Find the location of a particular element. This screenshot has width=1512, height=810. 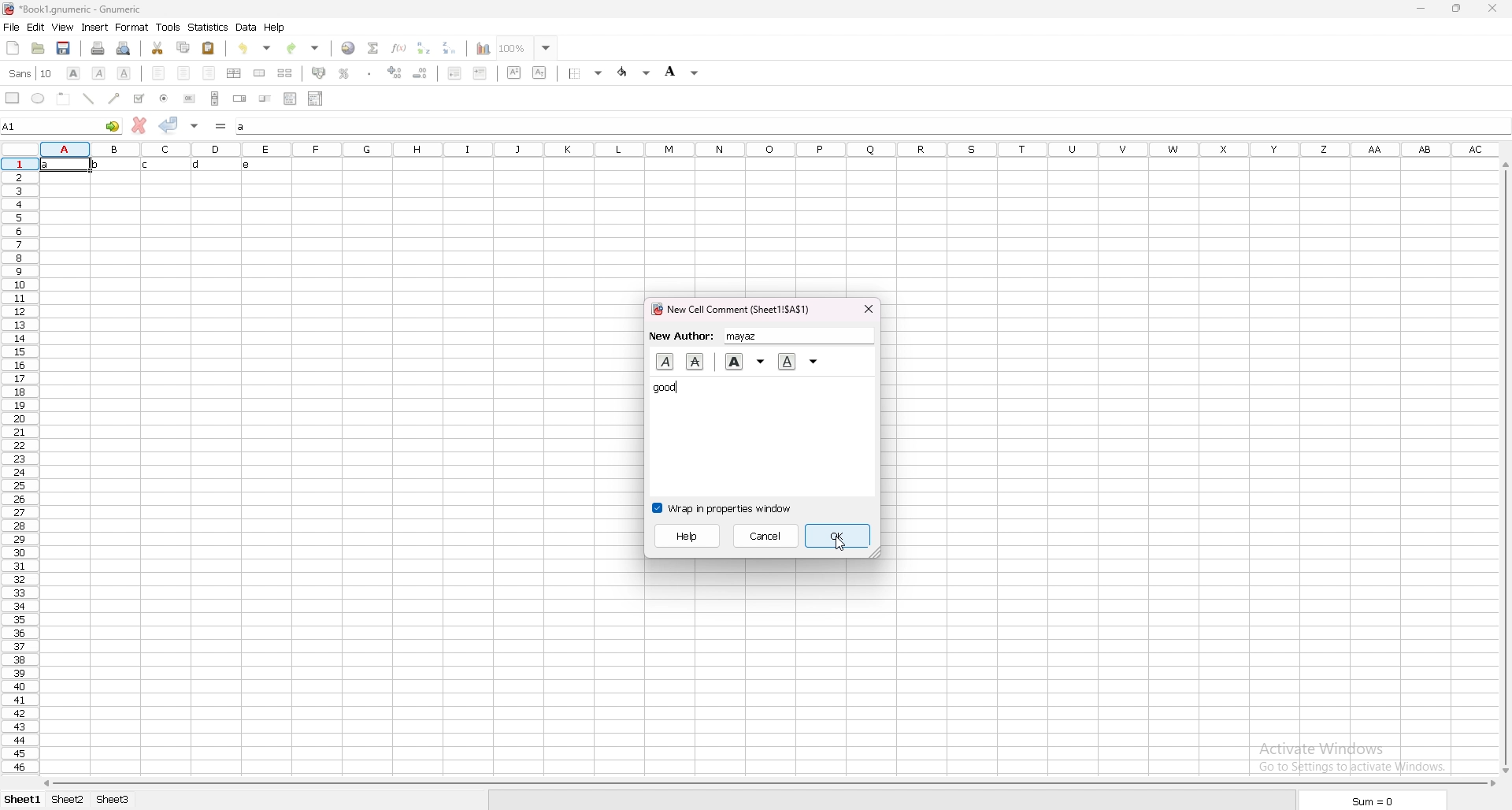

undo is located at coordinates (254, 48).